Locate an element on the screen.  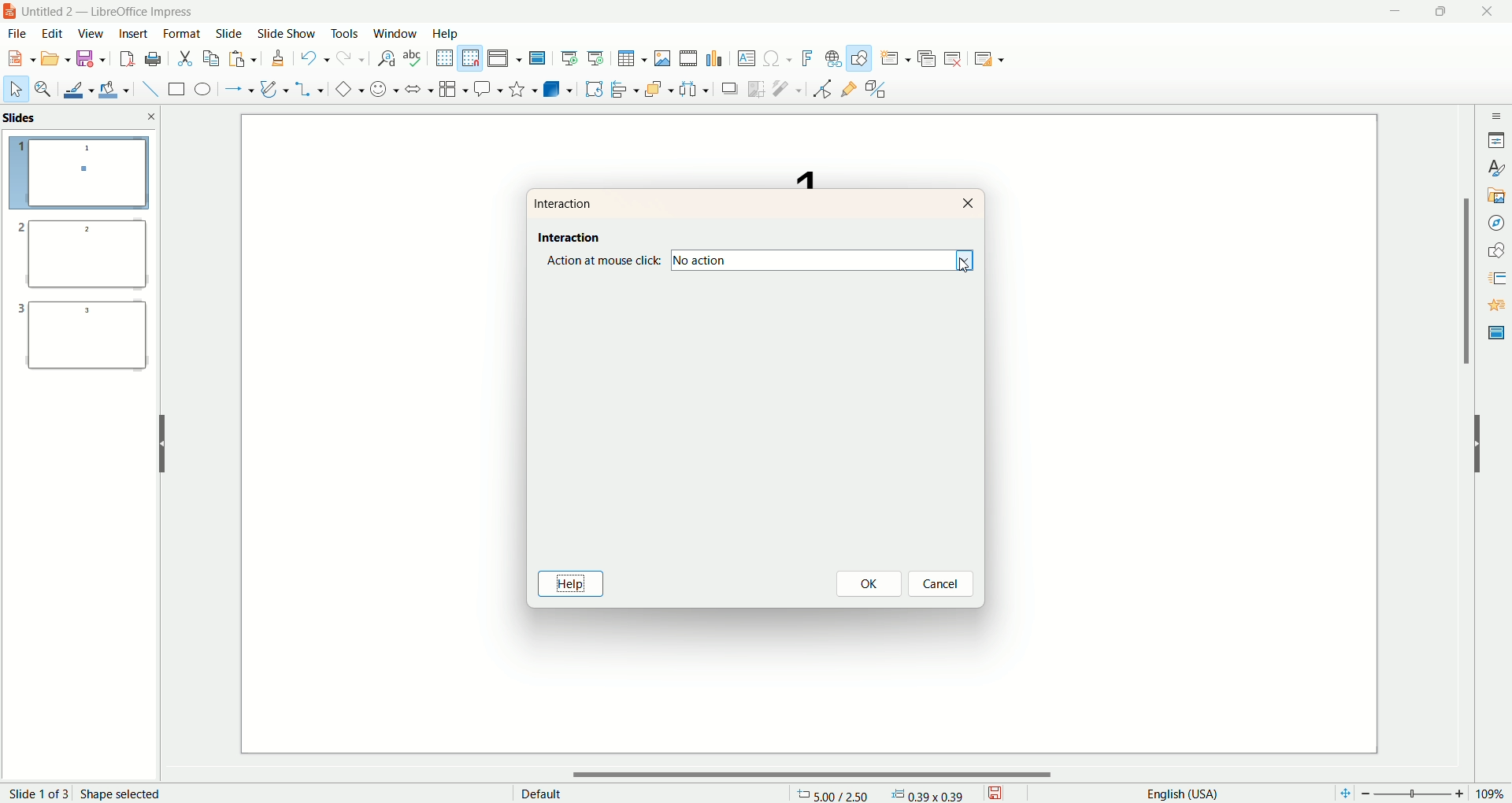
insert chart is located at coordinates (716, 59).